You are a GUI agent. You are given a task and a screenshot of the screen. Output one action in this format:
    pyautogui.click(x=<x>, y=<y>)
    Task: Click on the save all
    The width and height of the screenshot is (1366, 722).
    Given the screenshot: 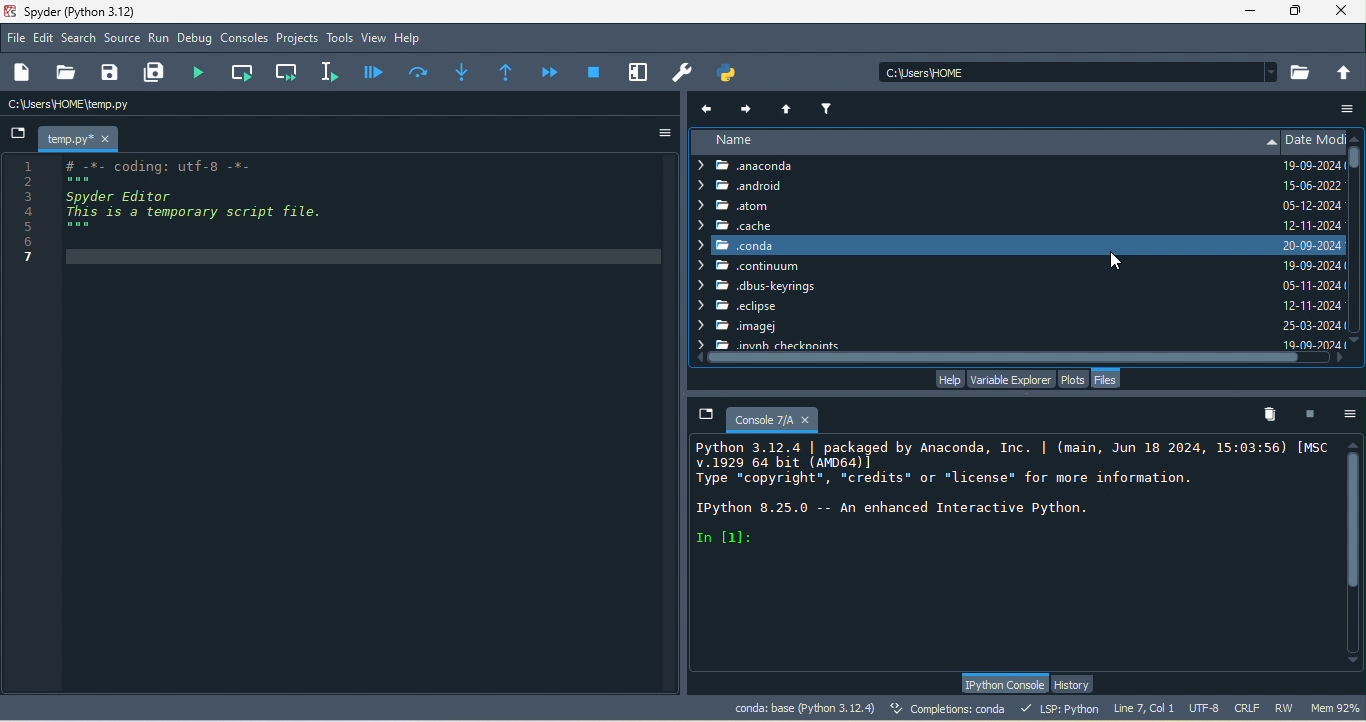 What is the action you would take?
    pyautogui.click(x=158, y=73)
    